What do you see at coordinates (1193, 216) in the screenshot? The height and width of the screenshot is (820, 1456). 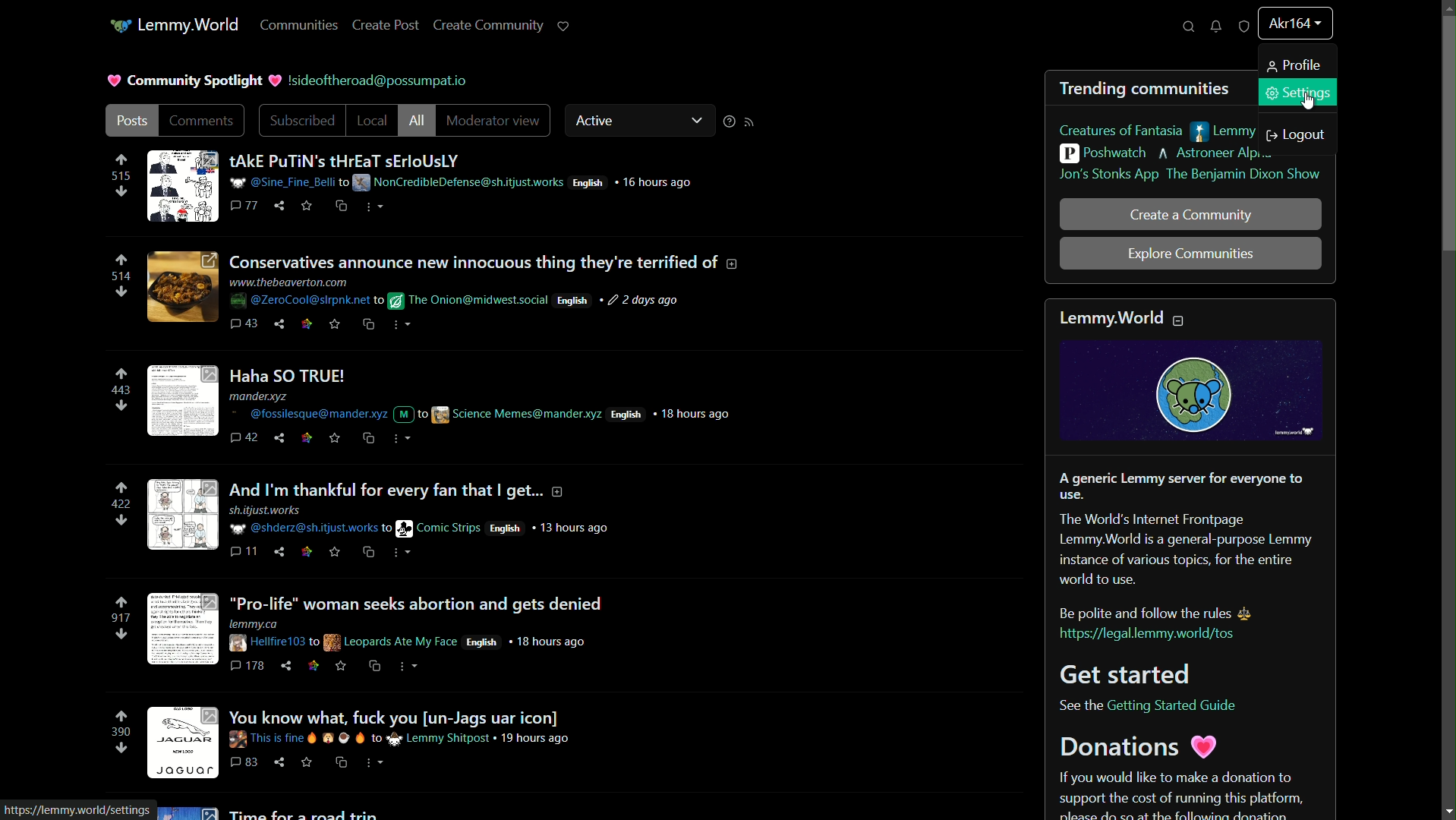 I see `create a community` at bounding box center [1193, 216].